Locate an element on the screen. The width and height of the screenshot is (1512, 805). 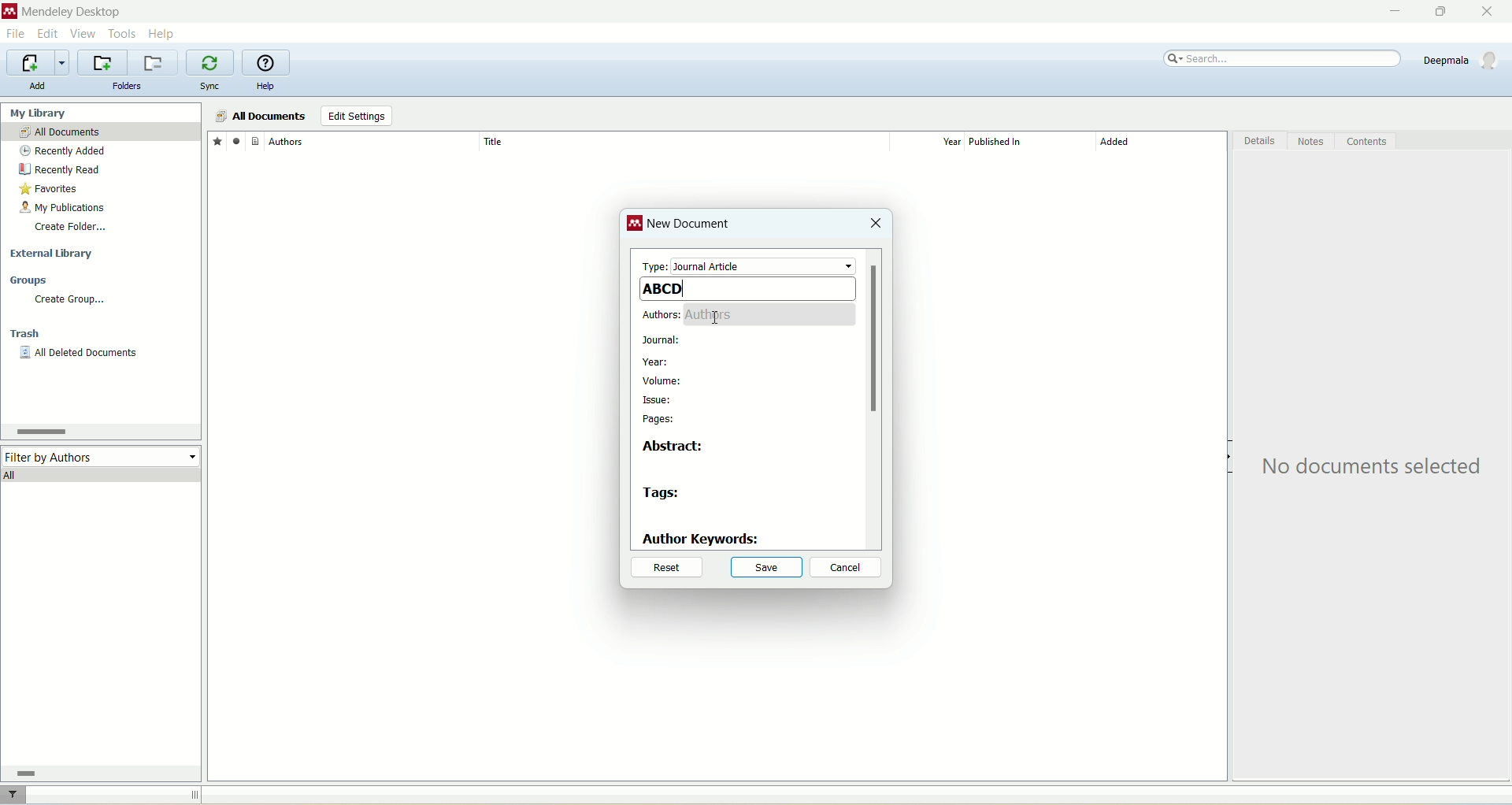
read/unread is located at coordinates (234, 140).